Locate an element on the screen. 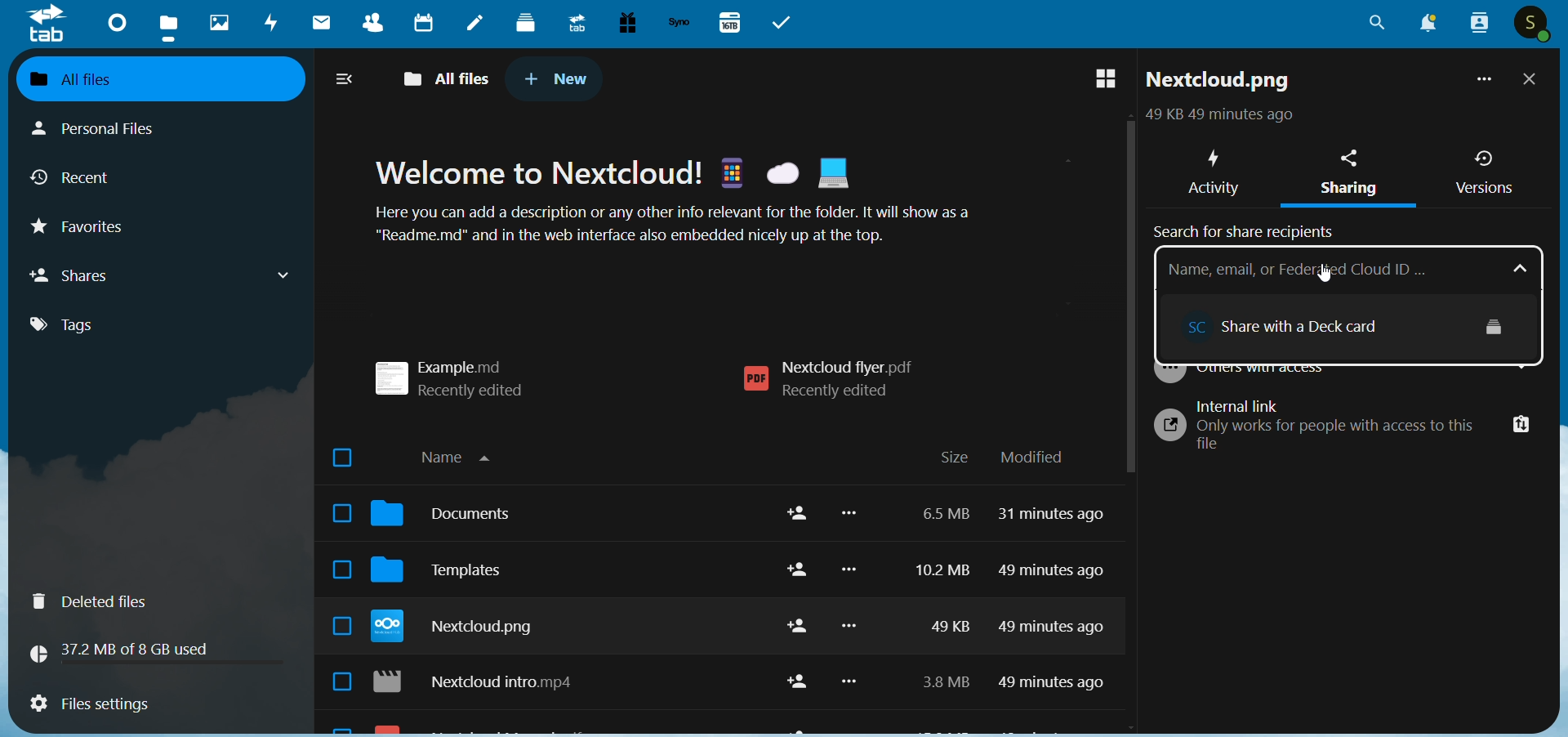 The image size is (1568, 737). status is located at coordinates (1216, 117).